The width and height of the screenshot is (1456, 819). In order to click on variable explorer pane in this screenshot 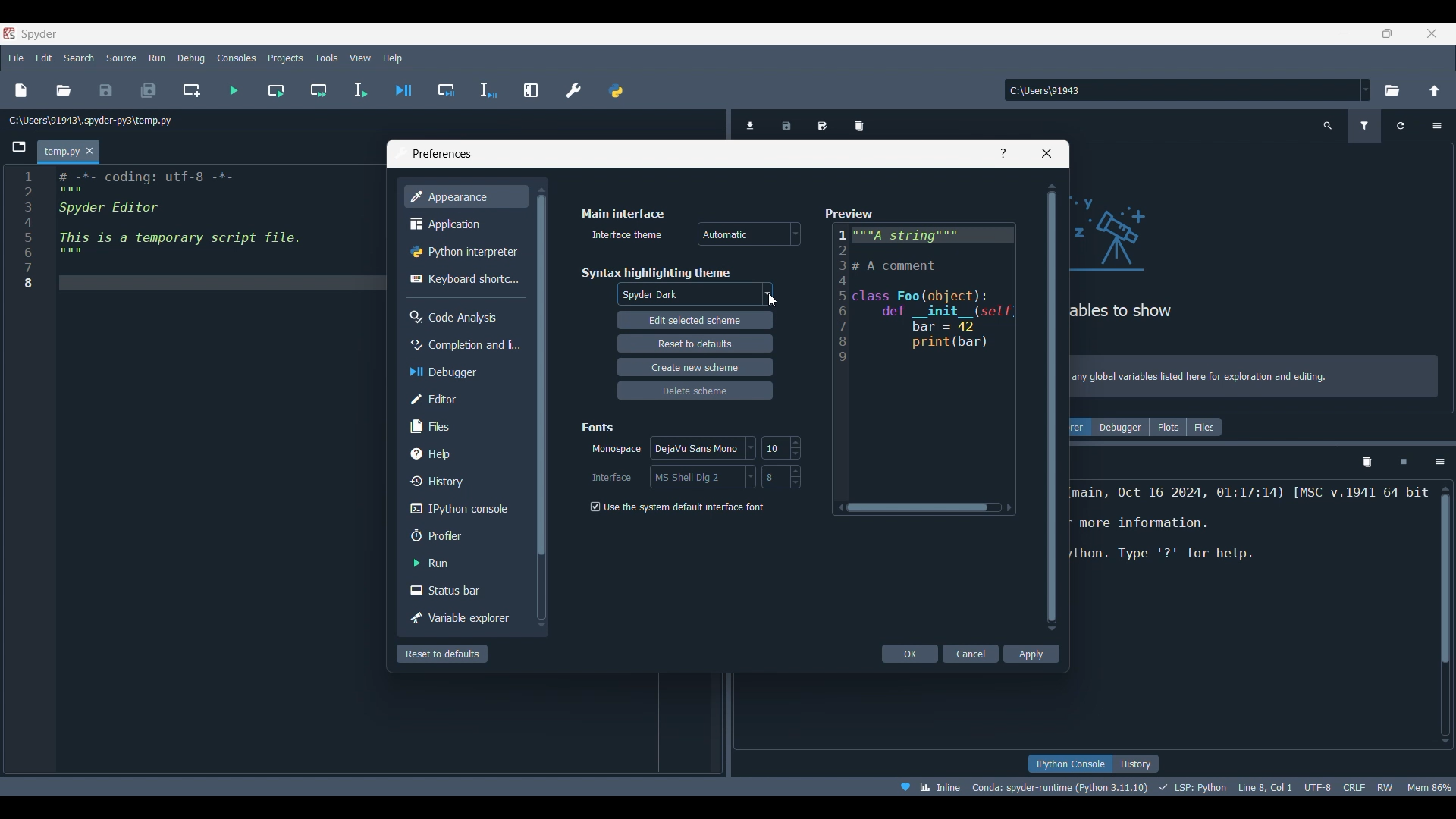, I will do `click(1256, 249)`.